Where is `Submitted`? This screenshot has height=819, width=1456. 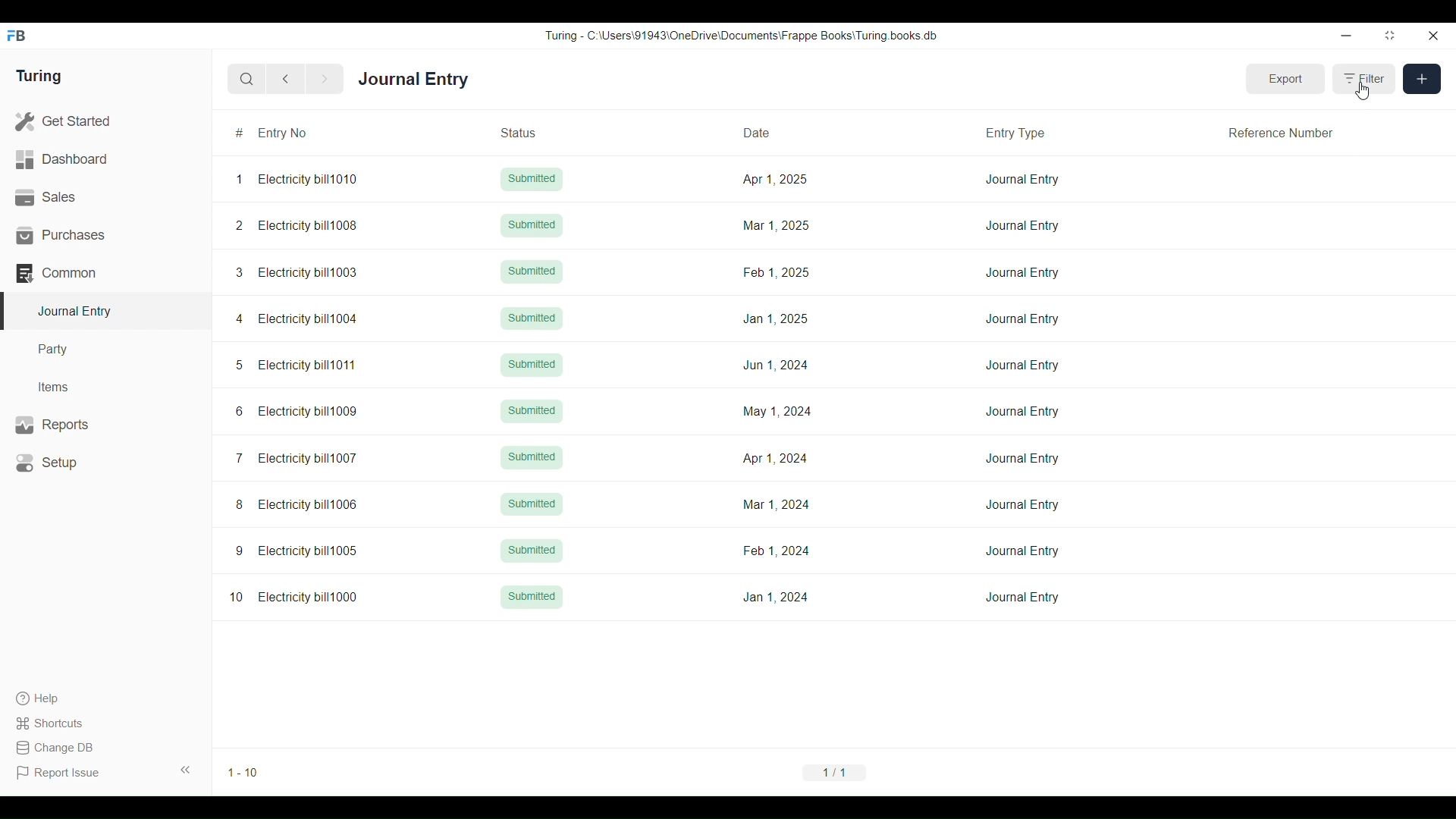 Submitted is located at coordinates (531, 318).